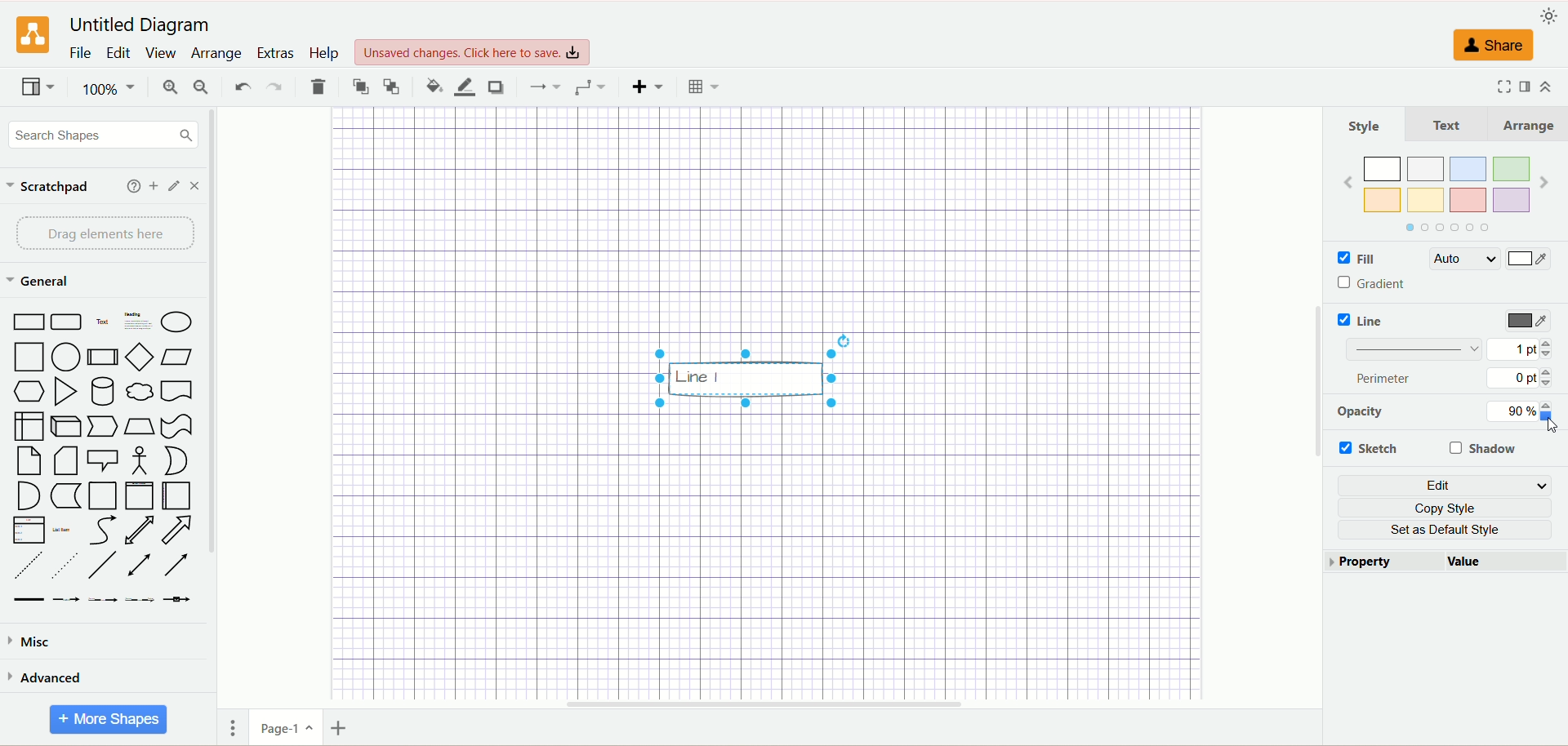  I want to click on extras, so click(275, 52).